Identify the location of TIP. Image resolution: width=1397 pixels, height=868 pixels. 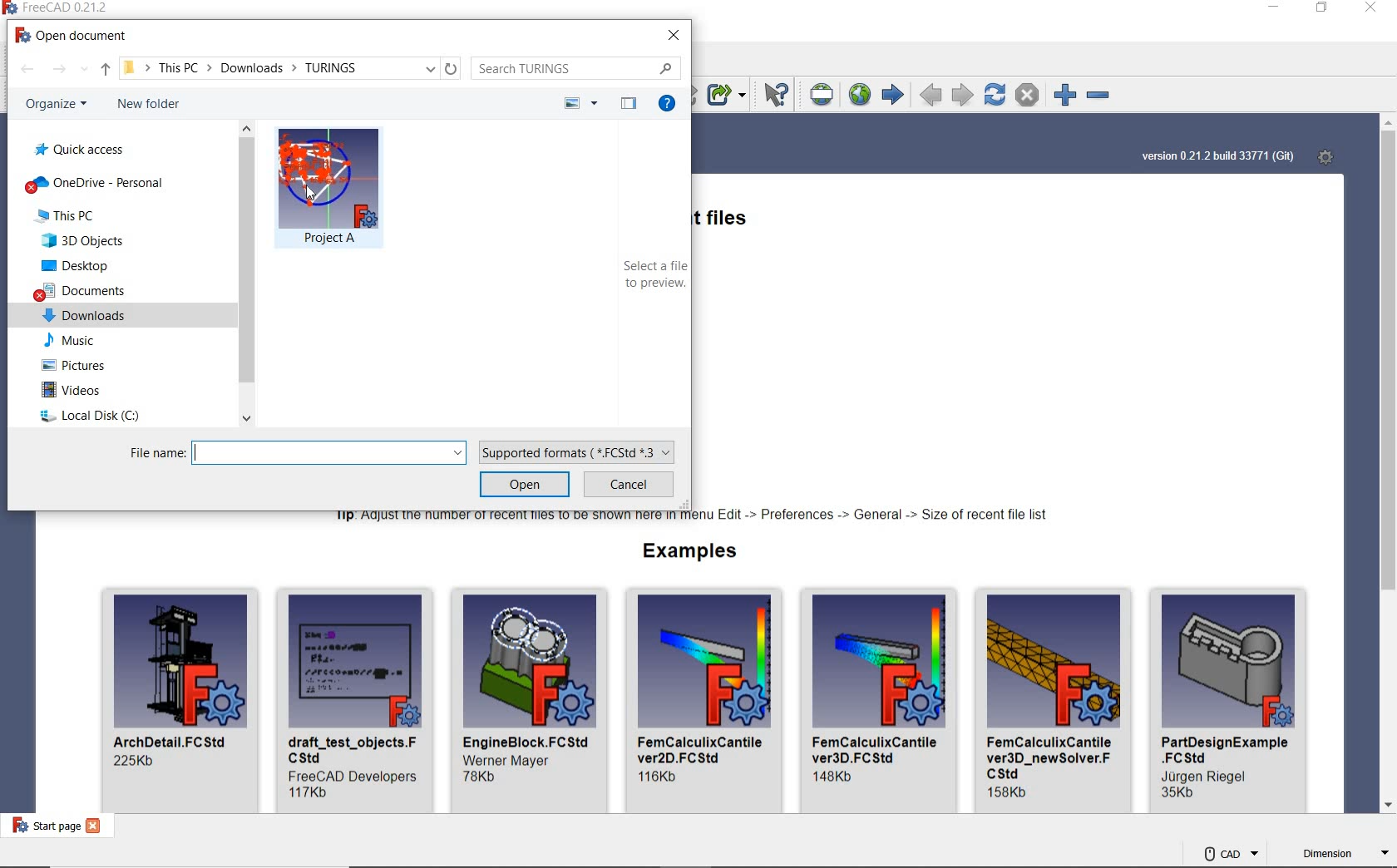
(695, 518).